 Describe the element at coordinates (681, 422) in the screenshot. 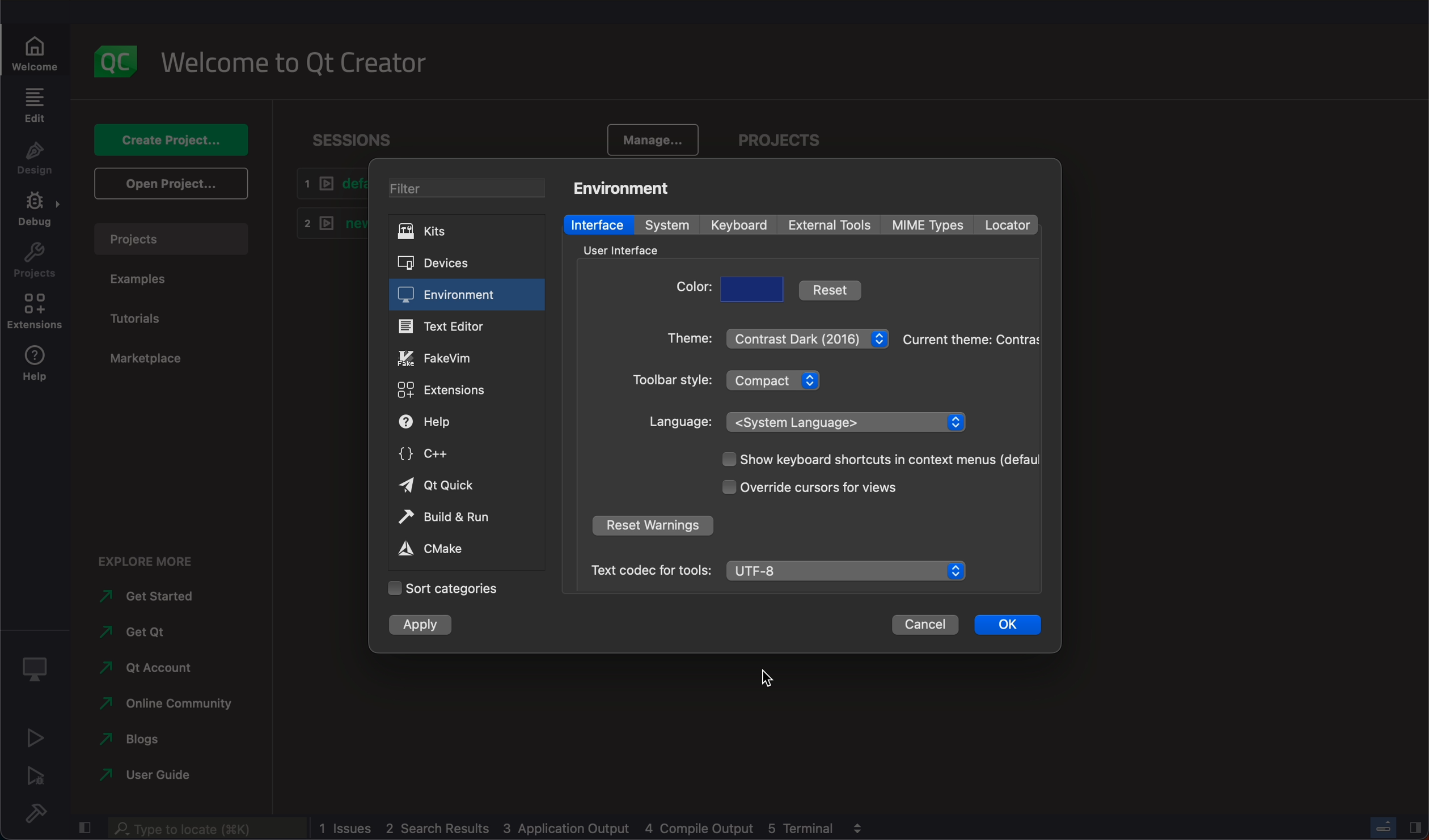

I see `language` at that location.